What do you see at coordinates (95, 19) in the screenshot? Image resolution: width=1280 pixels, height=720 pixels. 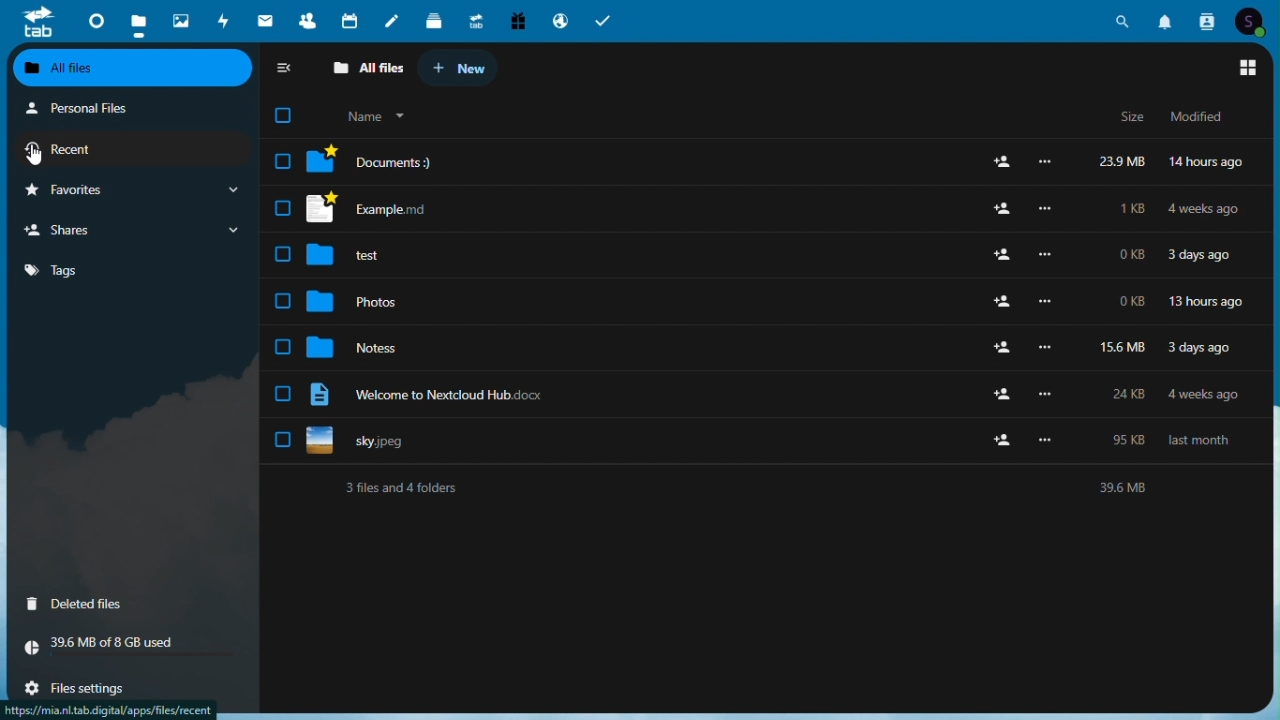 I see `dashboard` at bounding box center [95, 19].